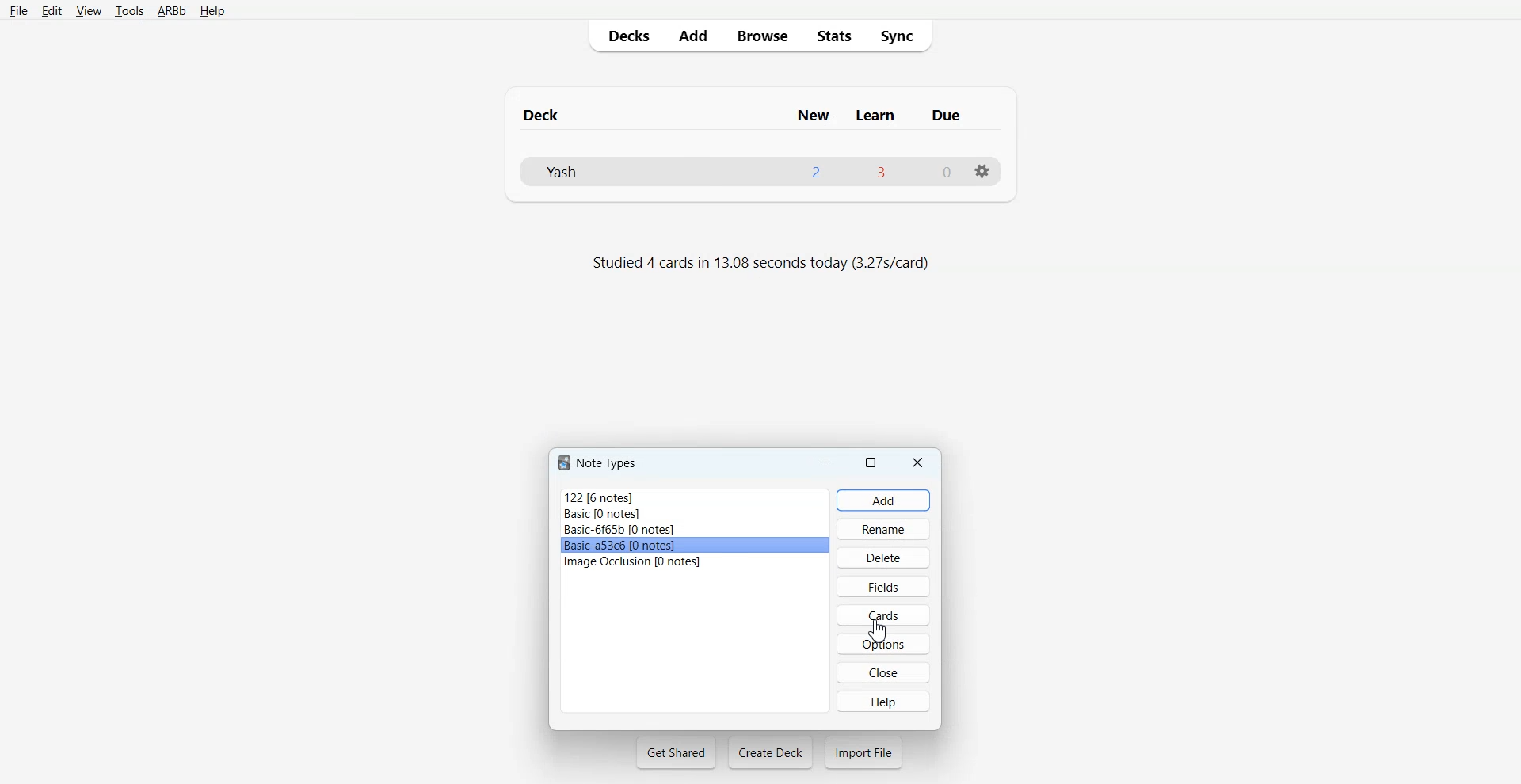  I want to click on Maximize, so click(873, 462).